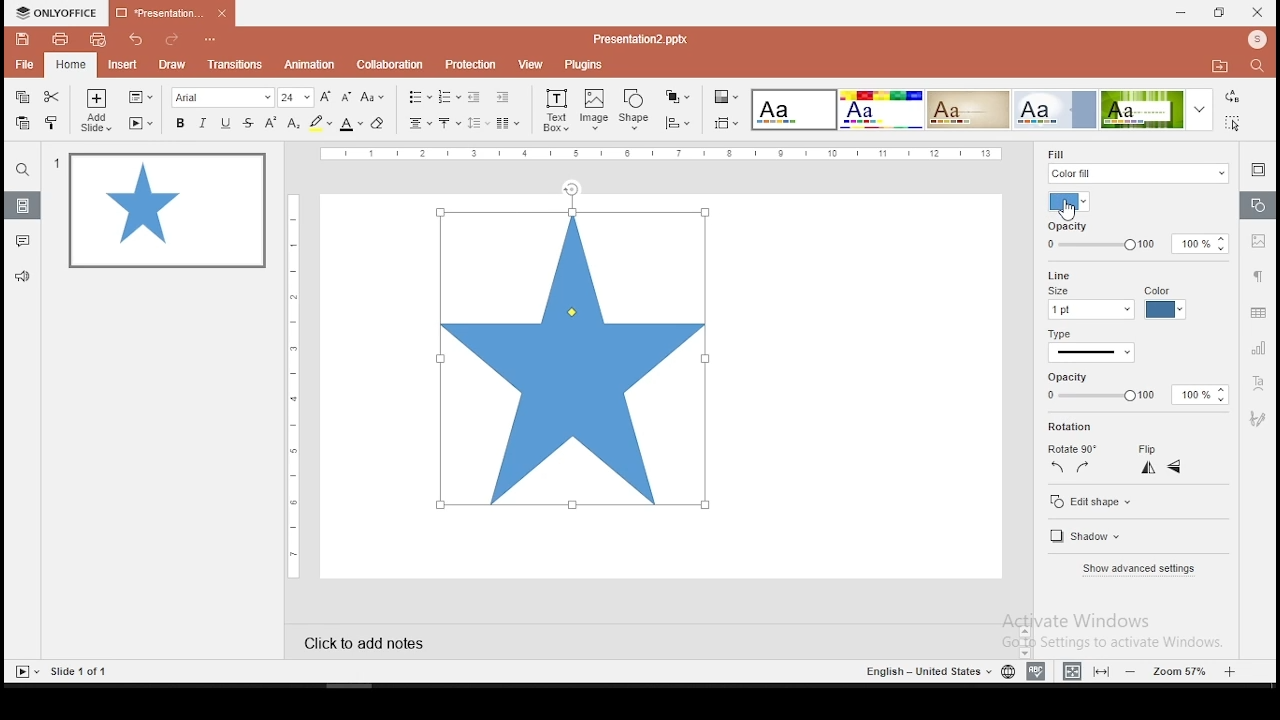  What do you see at coordinates (51, 97) in the screenshot?
I see `cut` at bounding box center [51, 97].